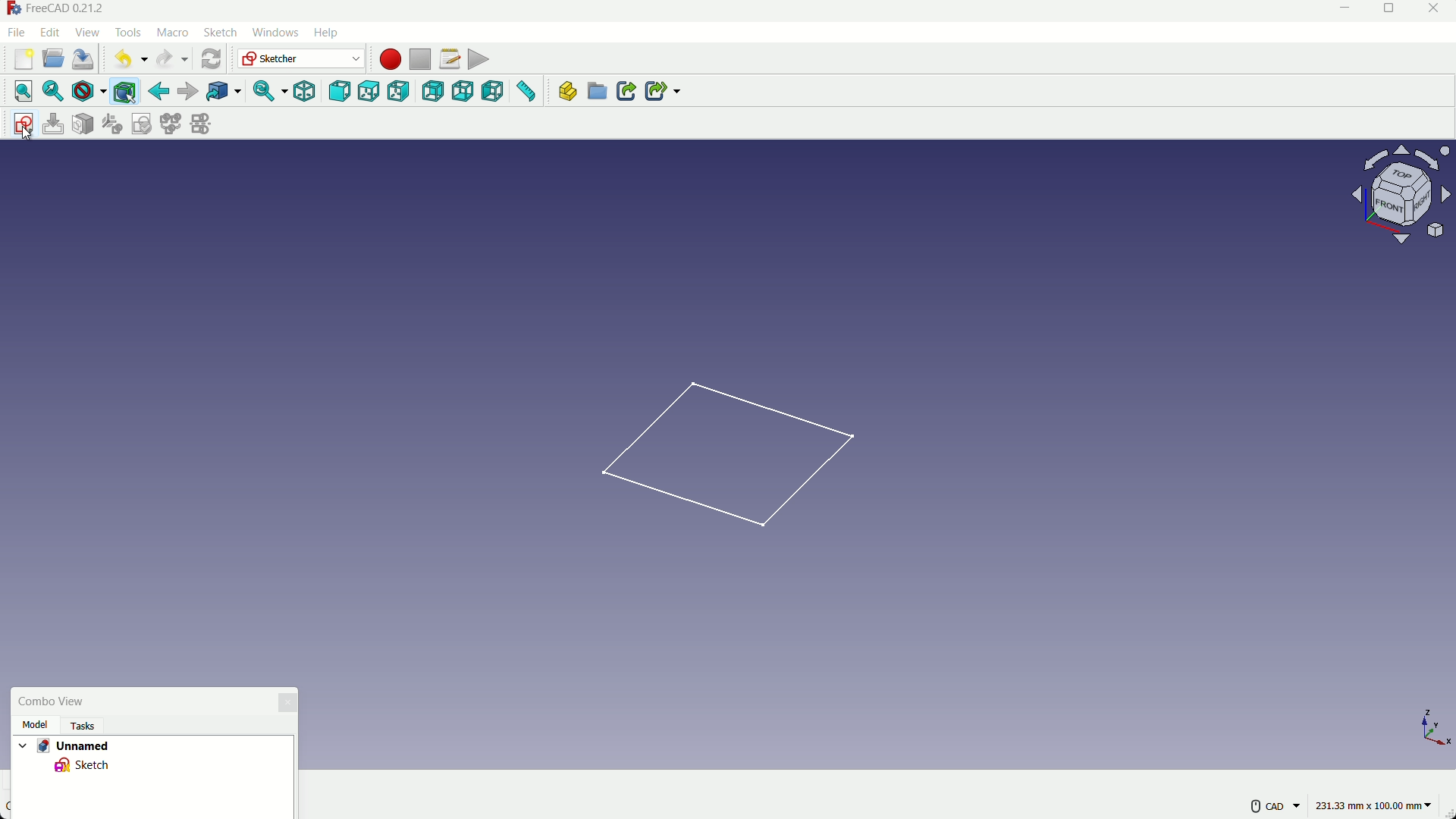 The height and width of the screenshot is (819, 1456). I want to click on project name - Unnamed, so click(65, 745).